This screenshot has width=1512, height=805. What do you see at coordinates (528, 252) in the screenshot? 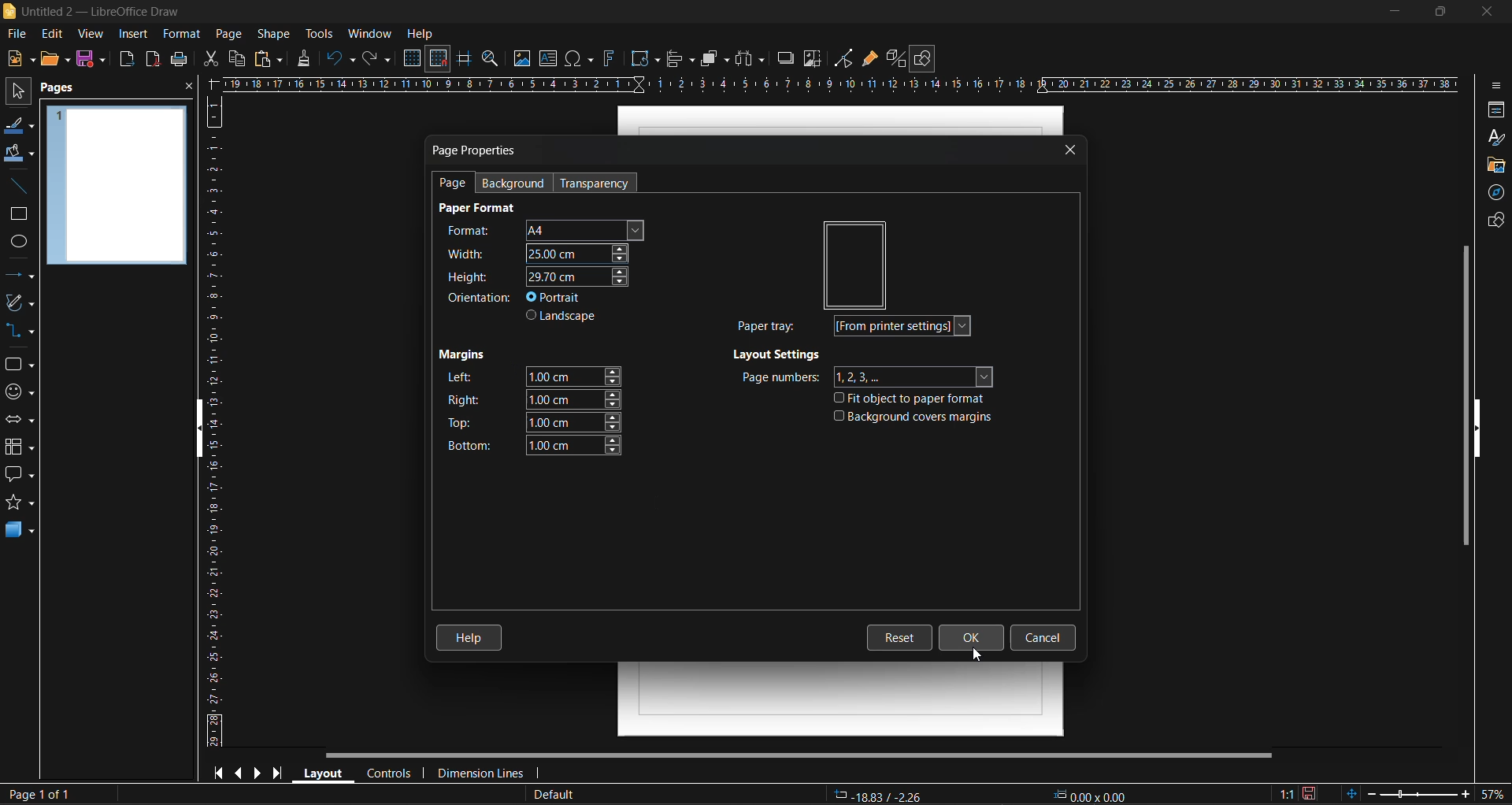
I see `width` at bounding box center [528, 252].